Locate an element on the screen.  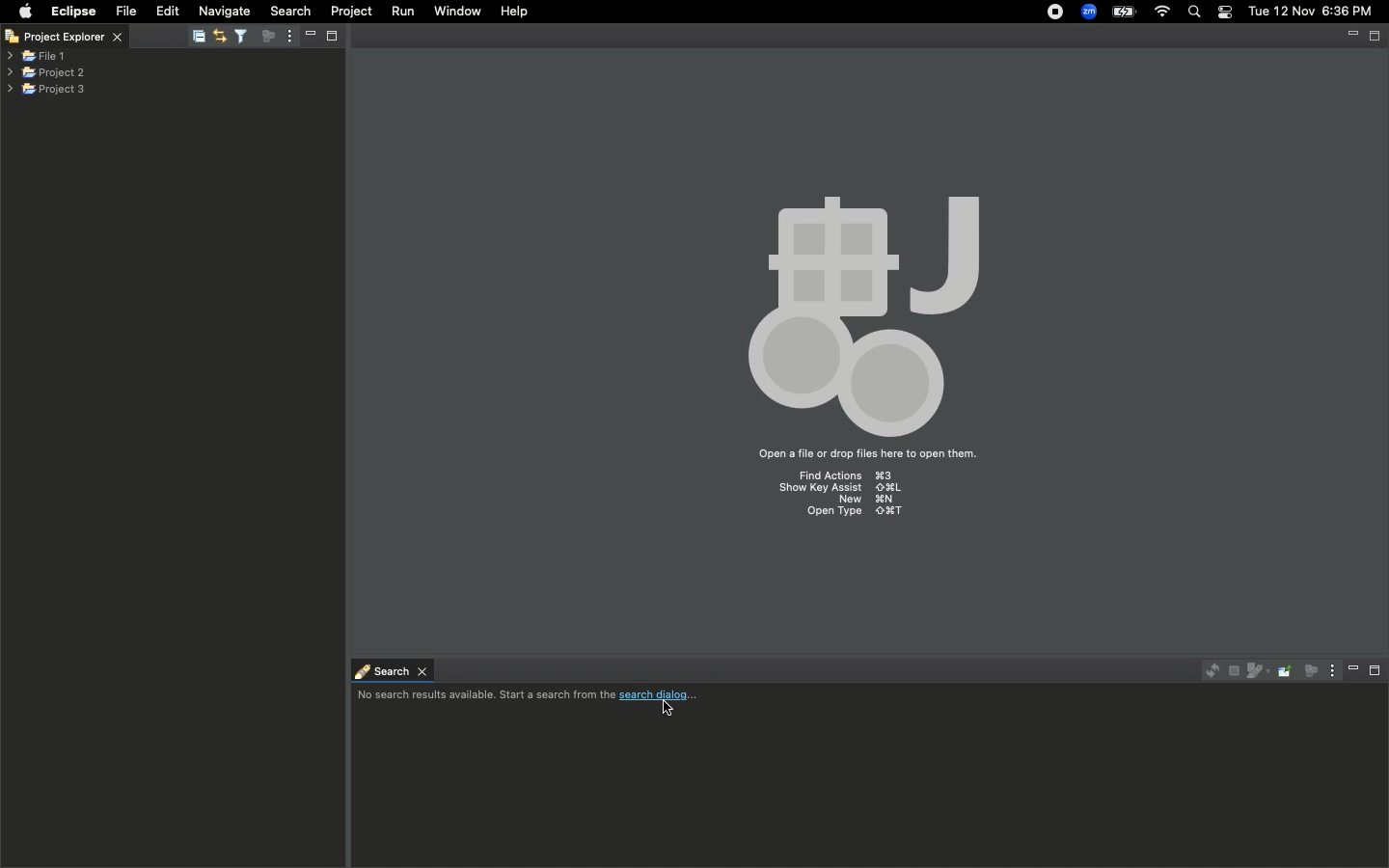
File 1 is located at coordinates (37, 57).